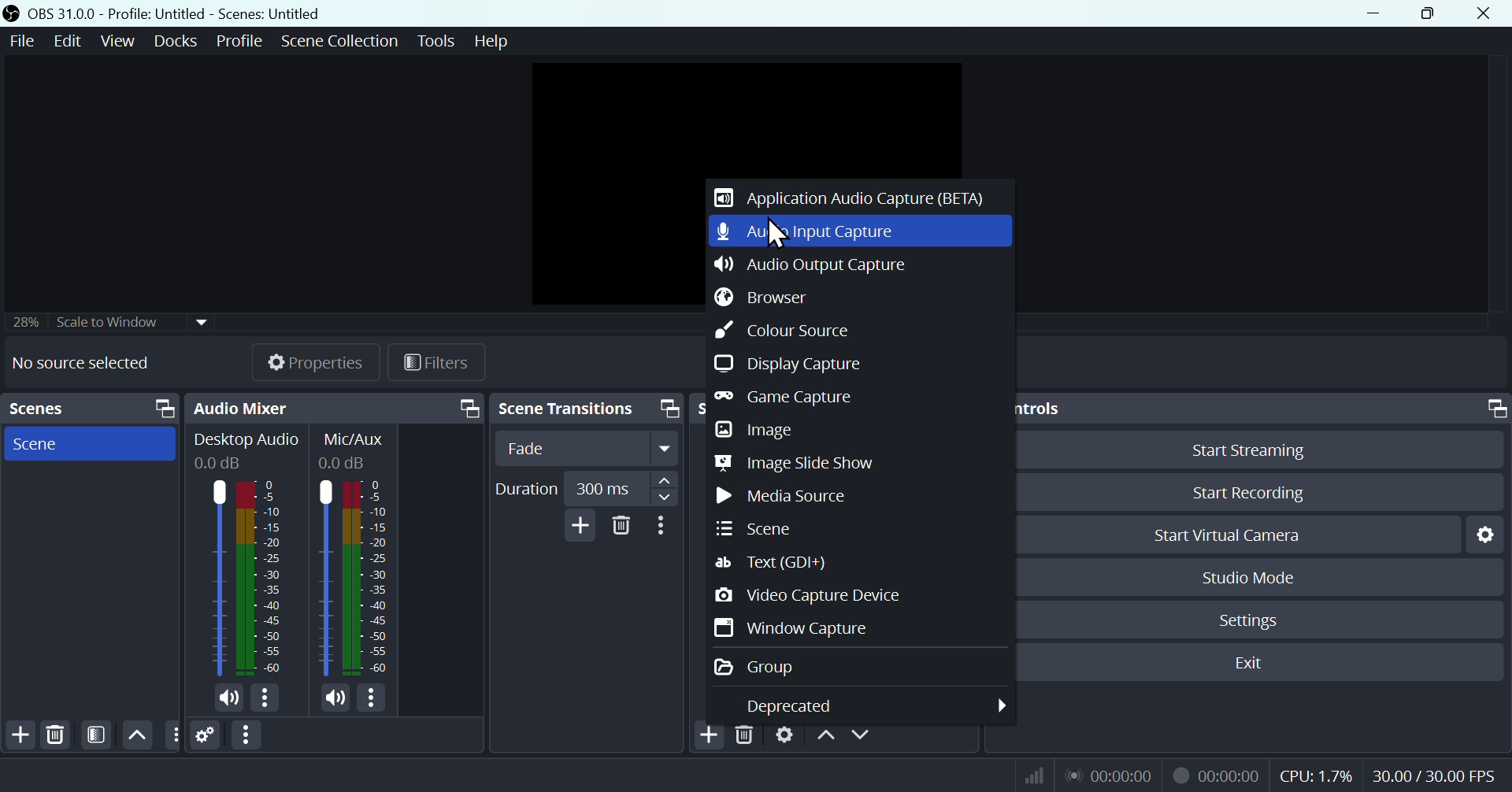  Describe the element at coordinates (1490, 534) in the screenshot. I see `Settings` at that location.